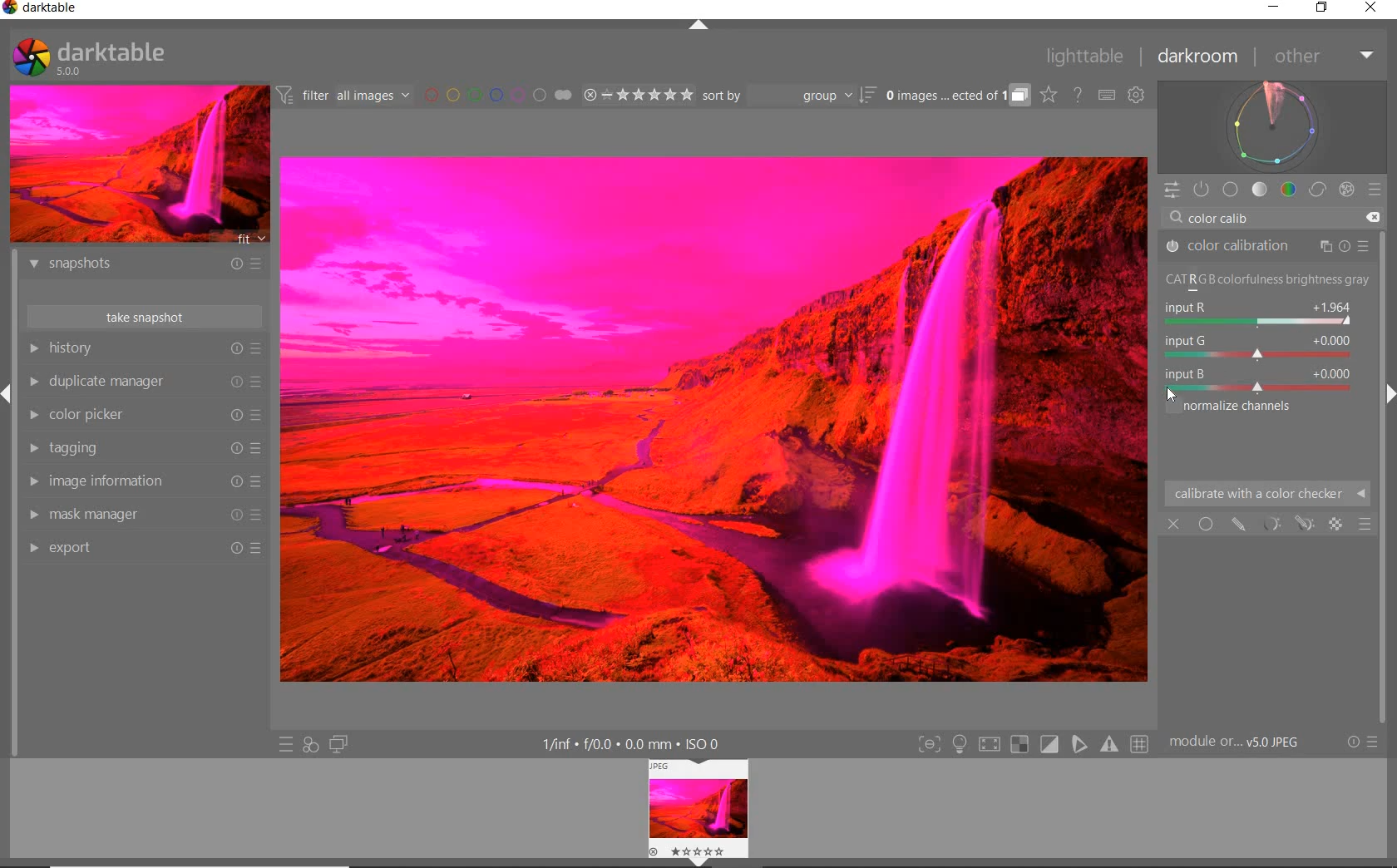 This screenshot has width=1397, height=868. I want to click on UNIFORMLY, so click(1206, 524).